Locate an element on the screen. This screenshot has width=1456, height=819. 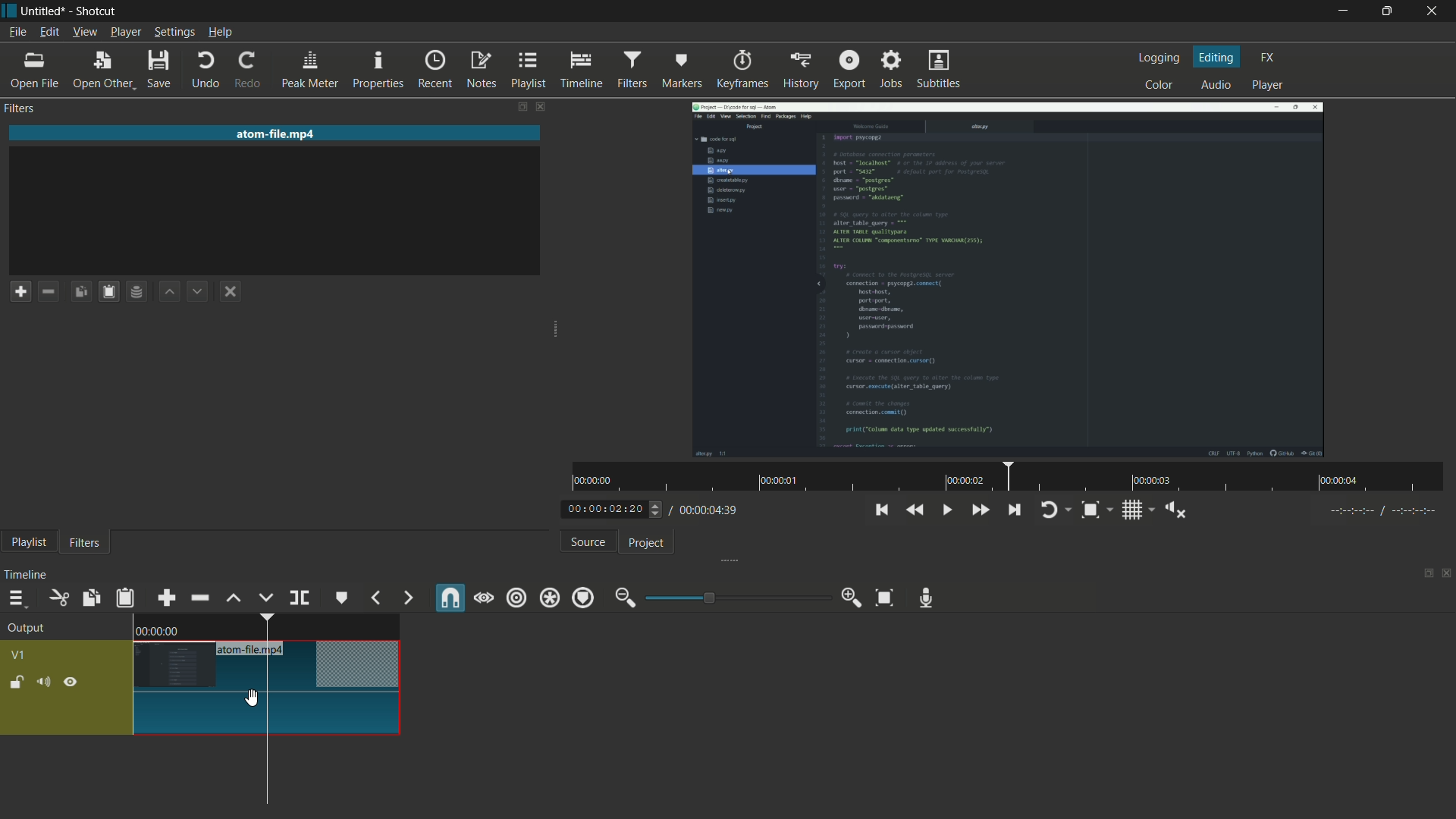
filters is located at coordinates (20, 108).